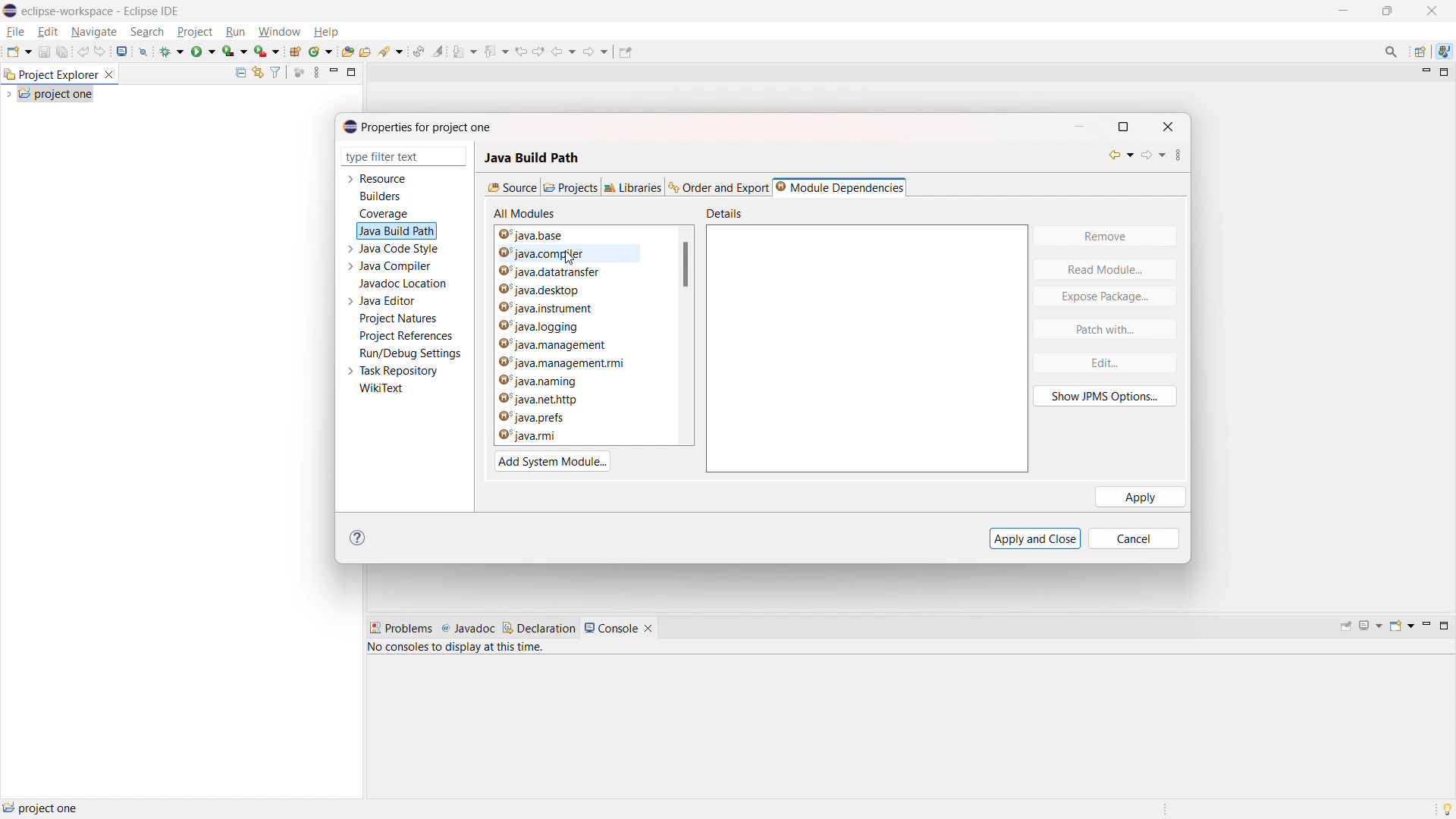 This screenshot has width=1456, height=819. Describe the element at coordinates (575, 307) in the screenshot. I see `java.instrument` at that location.